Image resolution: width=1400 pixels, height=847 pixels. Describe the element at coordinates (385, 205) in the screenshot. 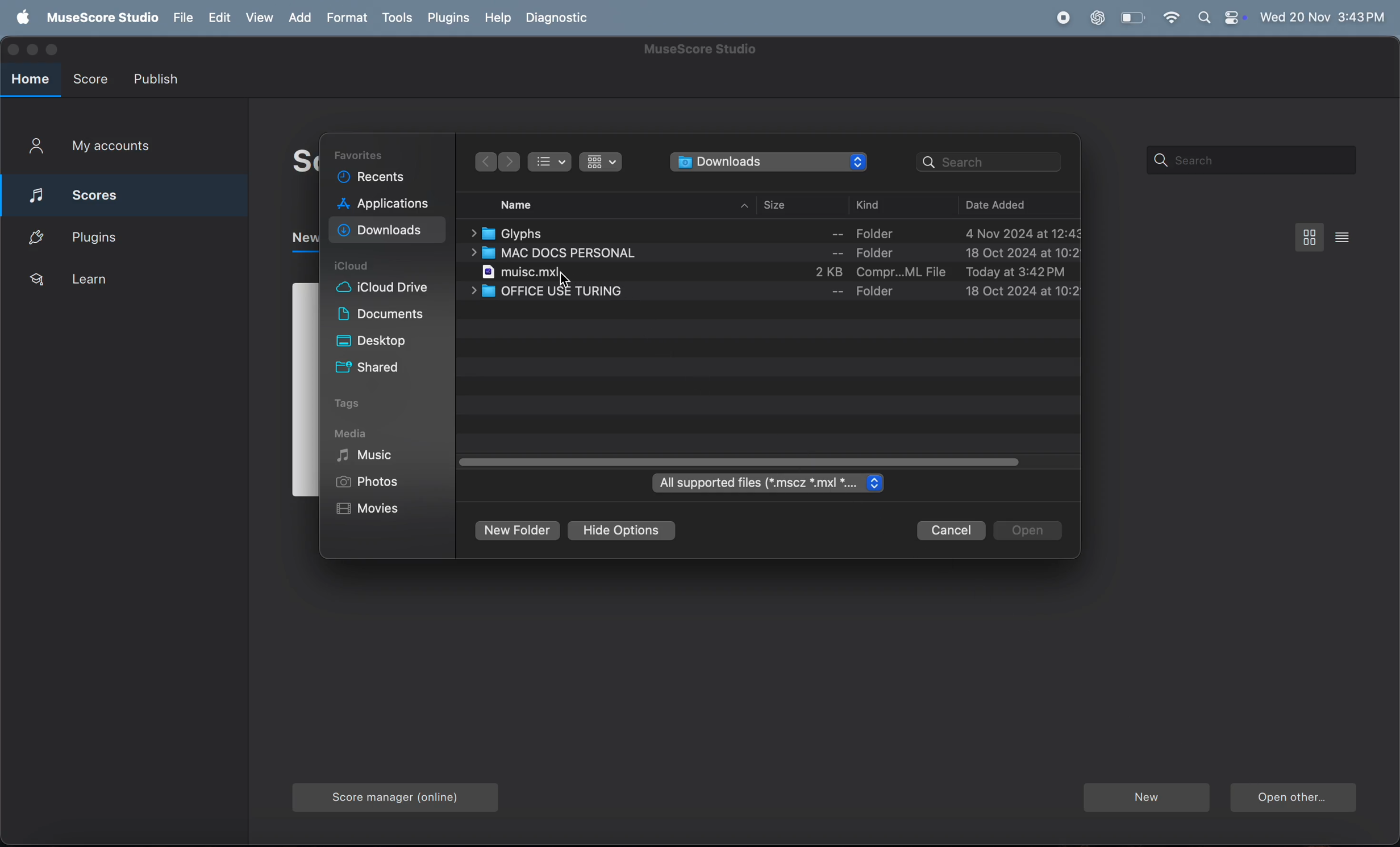

I see `applications` at that location.